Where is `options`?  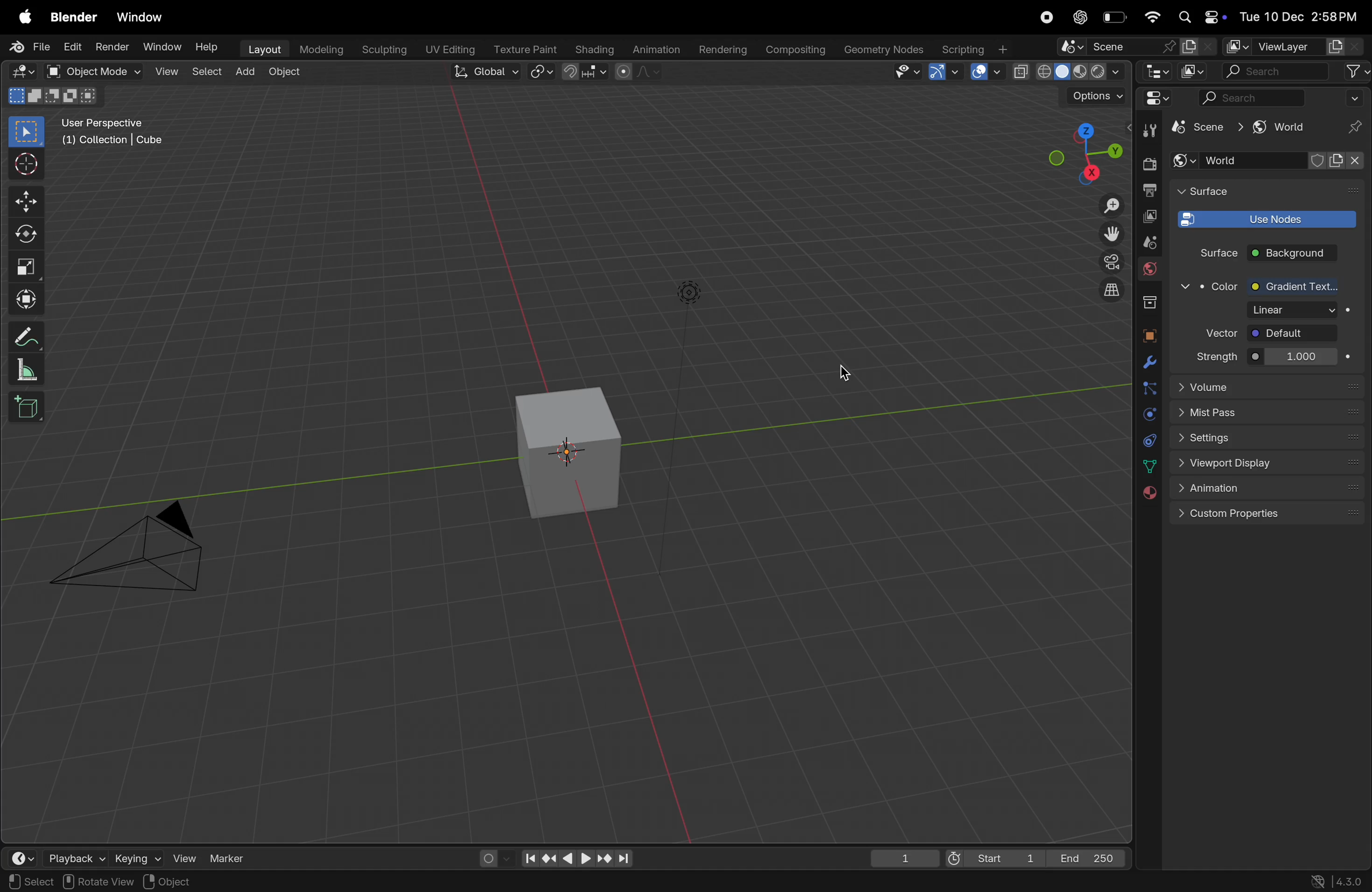 options is located at coordinates (1096, 96).